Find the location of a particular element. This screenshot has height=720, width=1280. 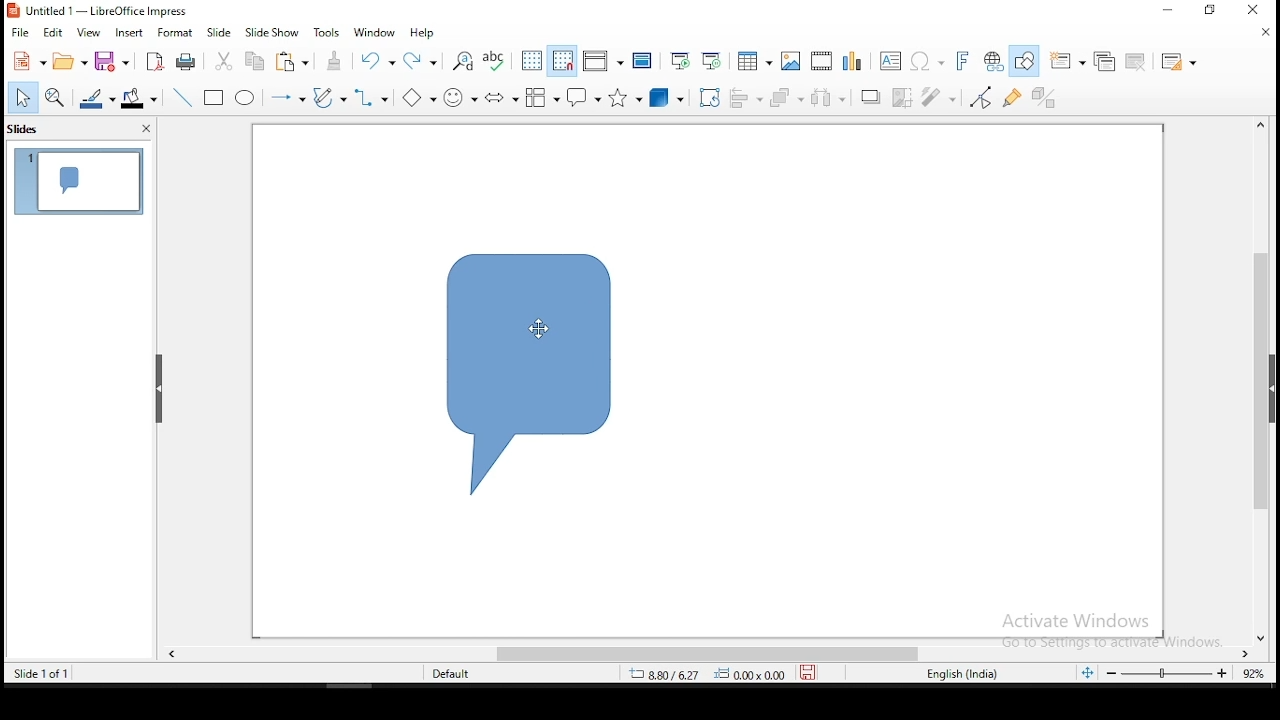

english (india) is located at coordinates (954, 671).